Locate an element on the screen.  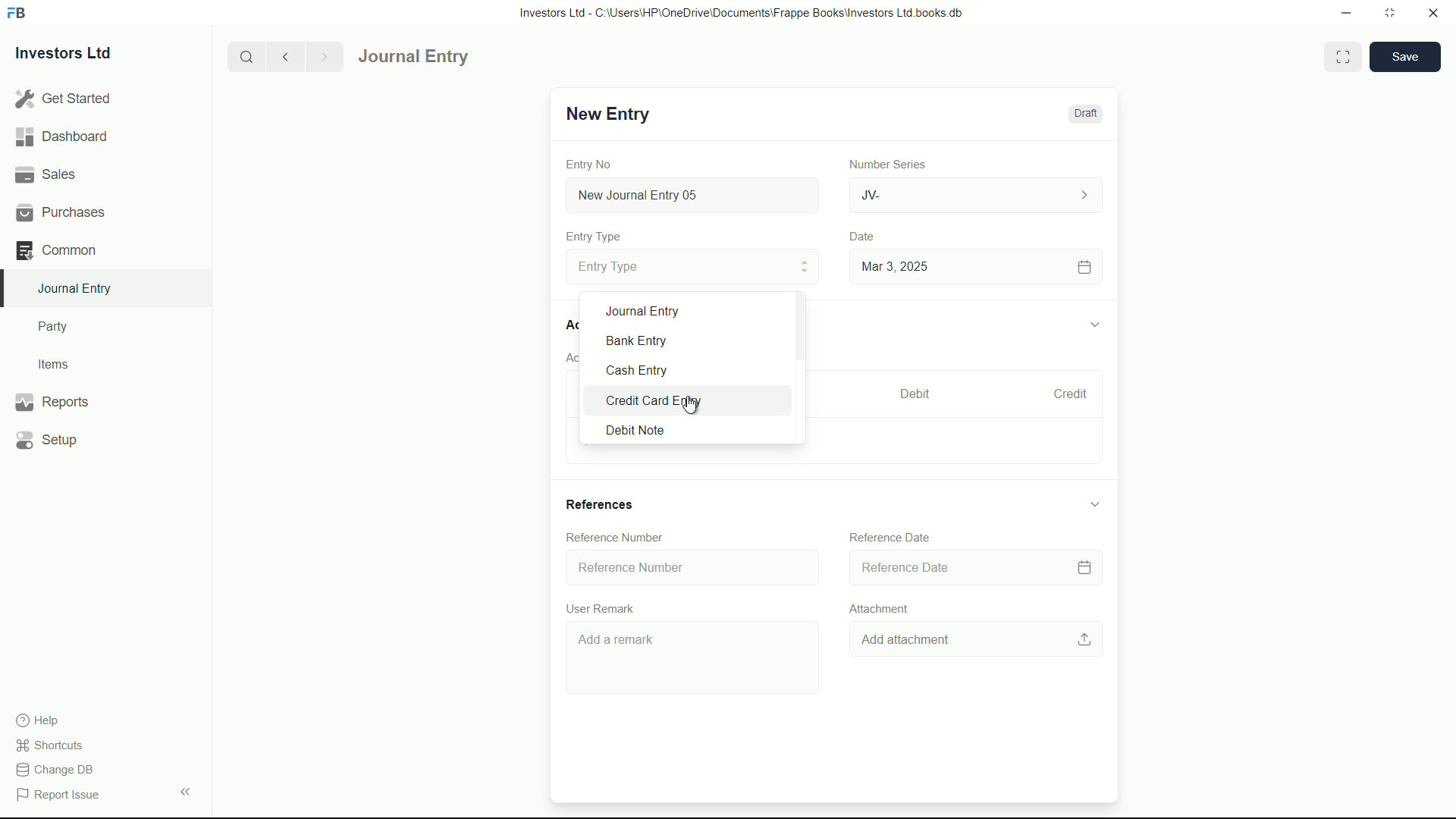
journal lentry is located at coordinates (457, 57).